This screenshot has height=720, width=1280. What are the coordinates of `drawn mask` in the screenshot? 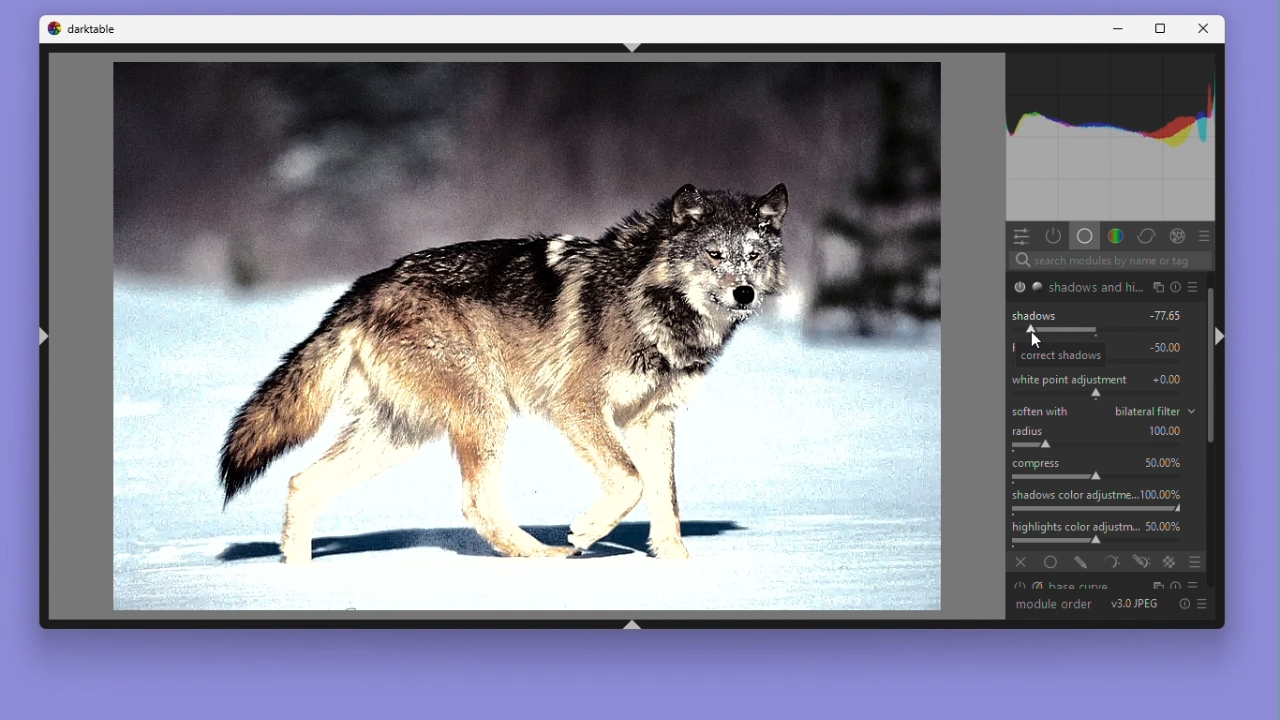 It's located at (1079, 562).